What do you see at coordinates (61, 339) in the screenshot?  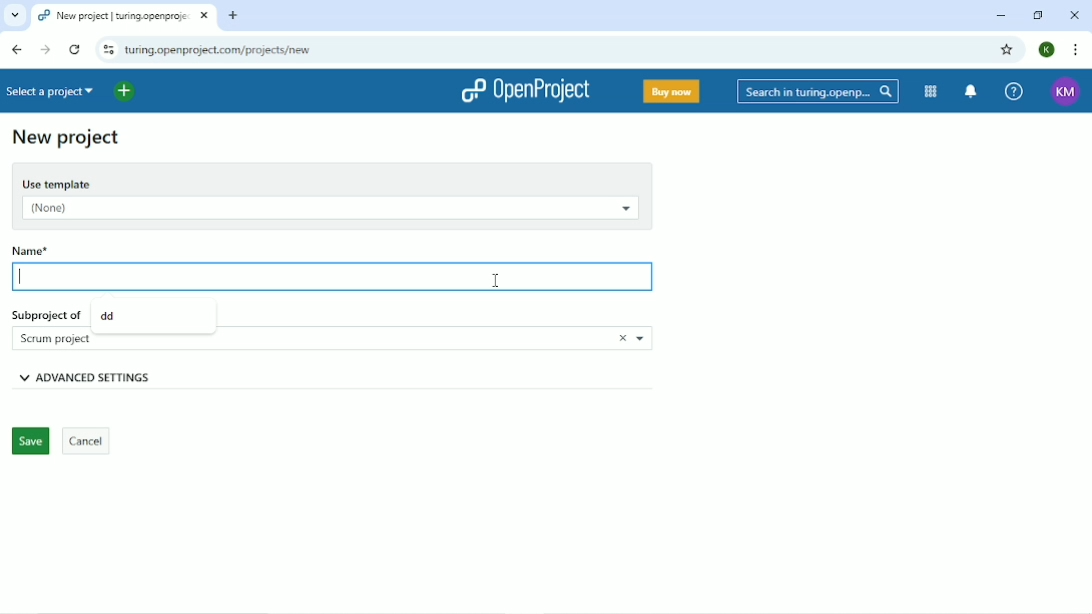 I see `Scrum project` at bounding box center [61, 339].